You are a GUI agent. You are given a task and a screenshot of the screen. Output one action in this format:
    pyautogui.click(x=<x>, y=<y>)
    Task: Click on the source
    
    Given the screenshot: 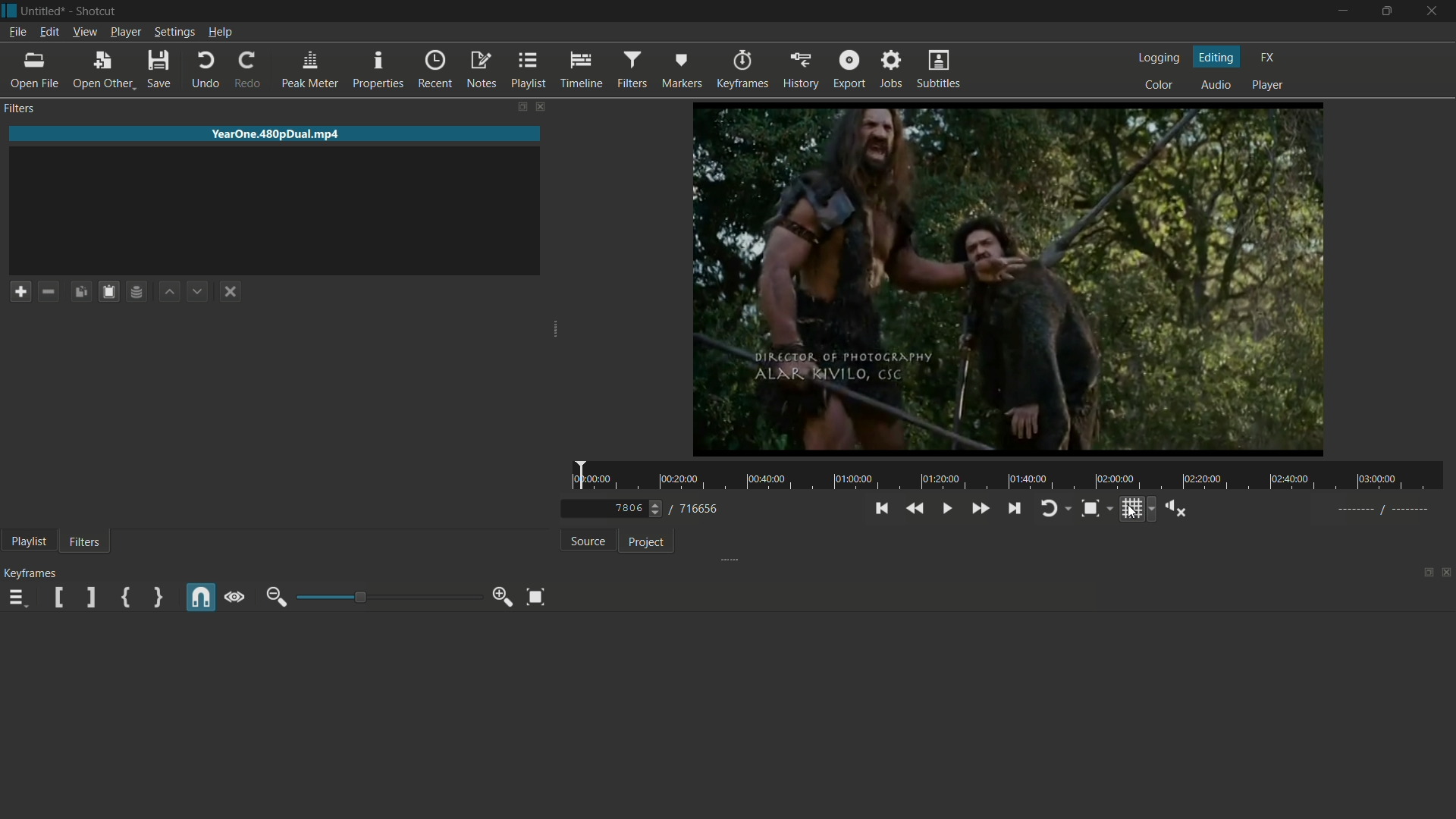 What is the action you would take?
    pyautogui.click(x=588, y=541)
    